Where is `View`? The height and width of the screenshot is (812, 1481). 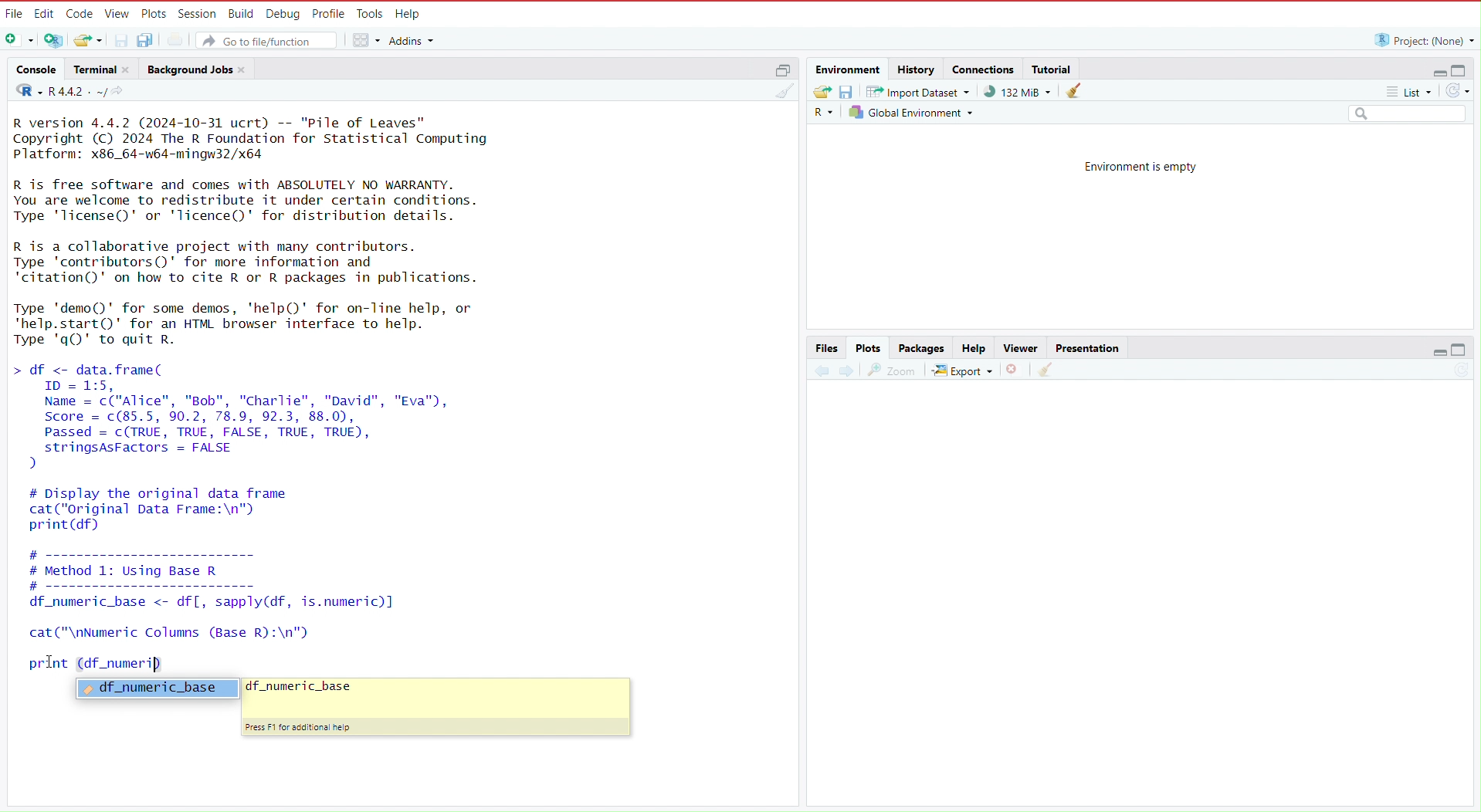 View is located at coordinates (118, 13).